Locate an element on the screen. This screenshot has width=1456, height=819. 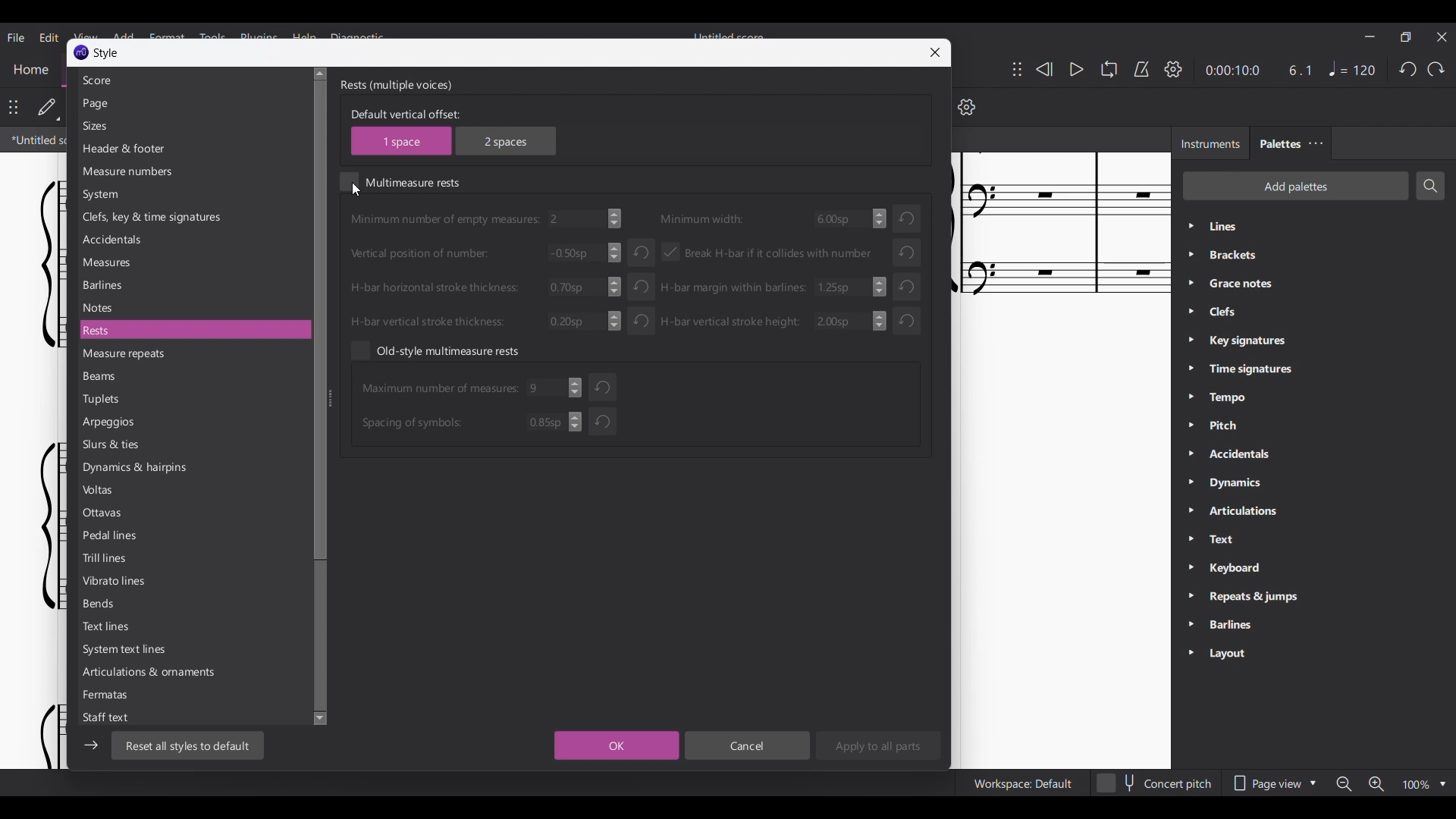
Input max. number of measures is located at coordinates (463, 388).